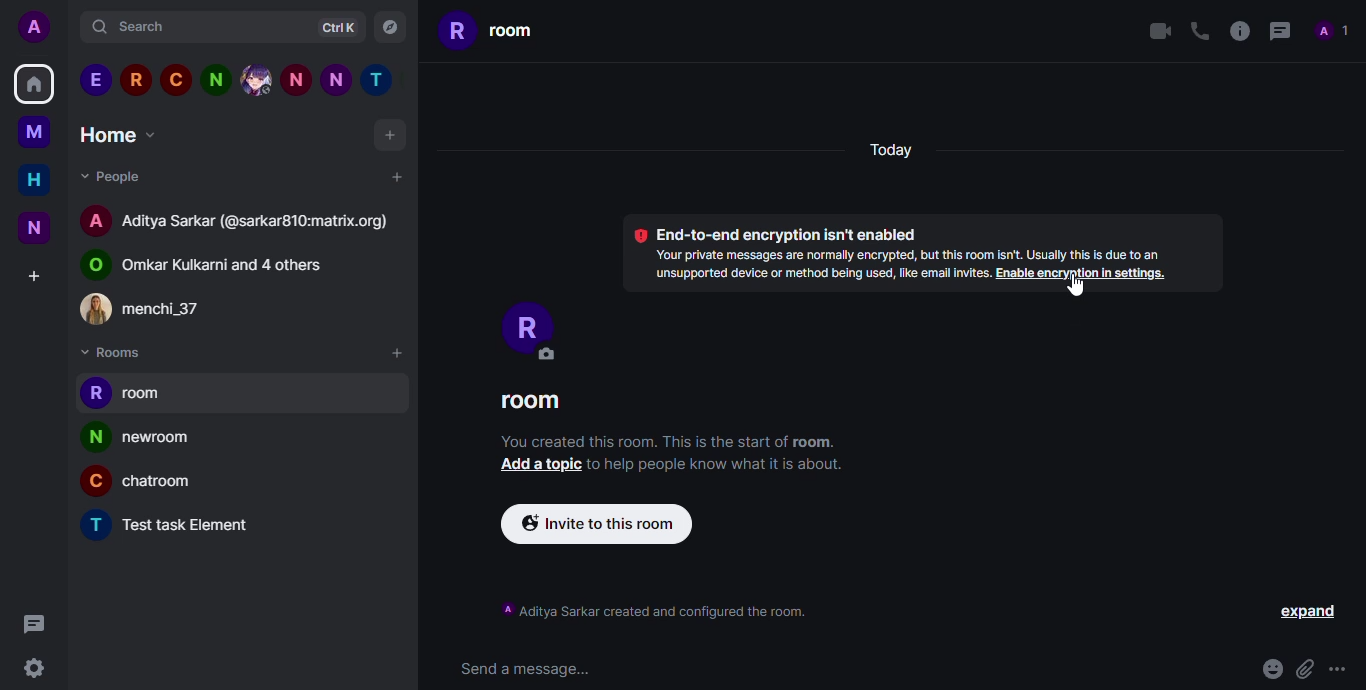 The image size is (1366, 690). I want to click on rooms, so click(113, 353).